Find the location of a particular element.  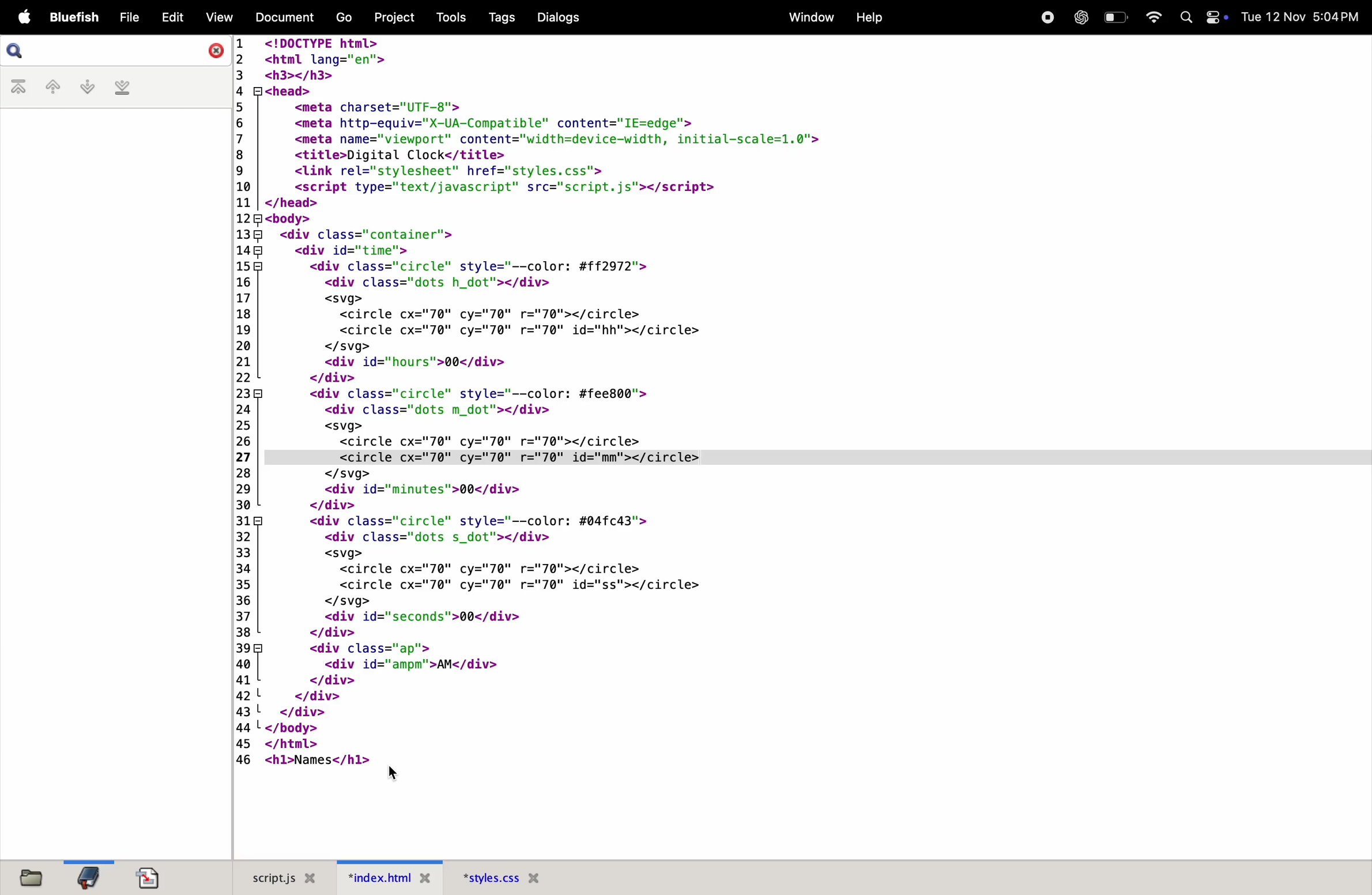

apple menu is located at coordinates (24, 18).